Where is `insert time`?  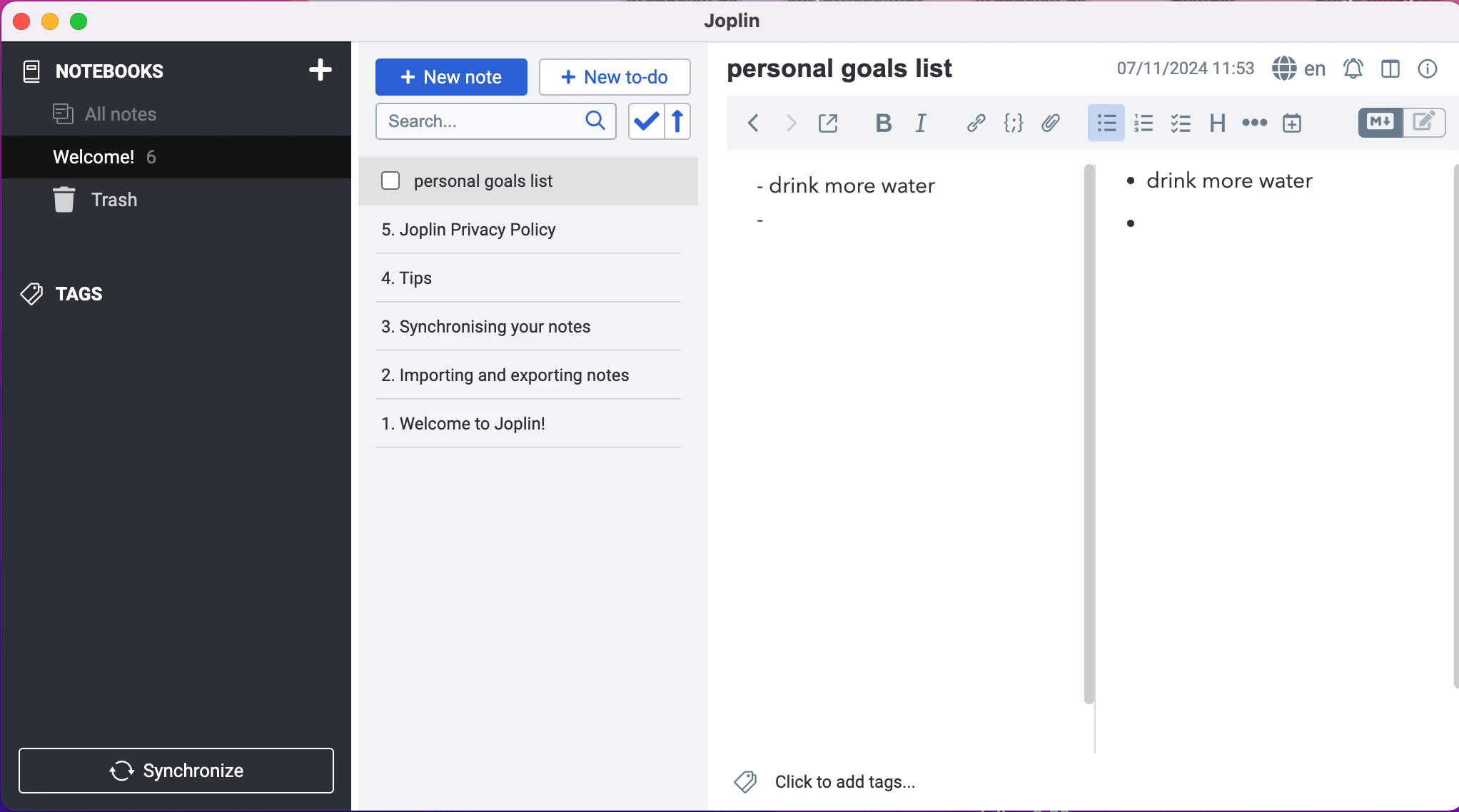
insert time is located at coordinates (1298, 126).